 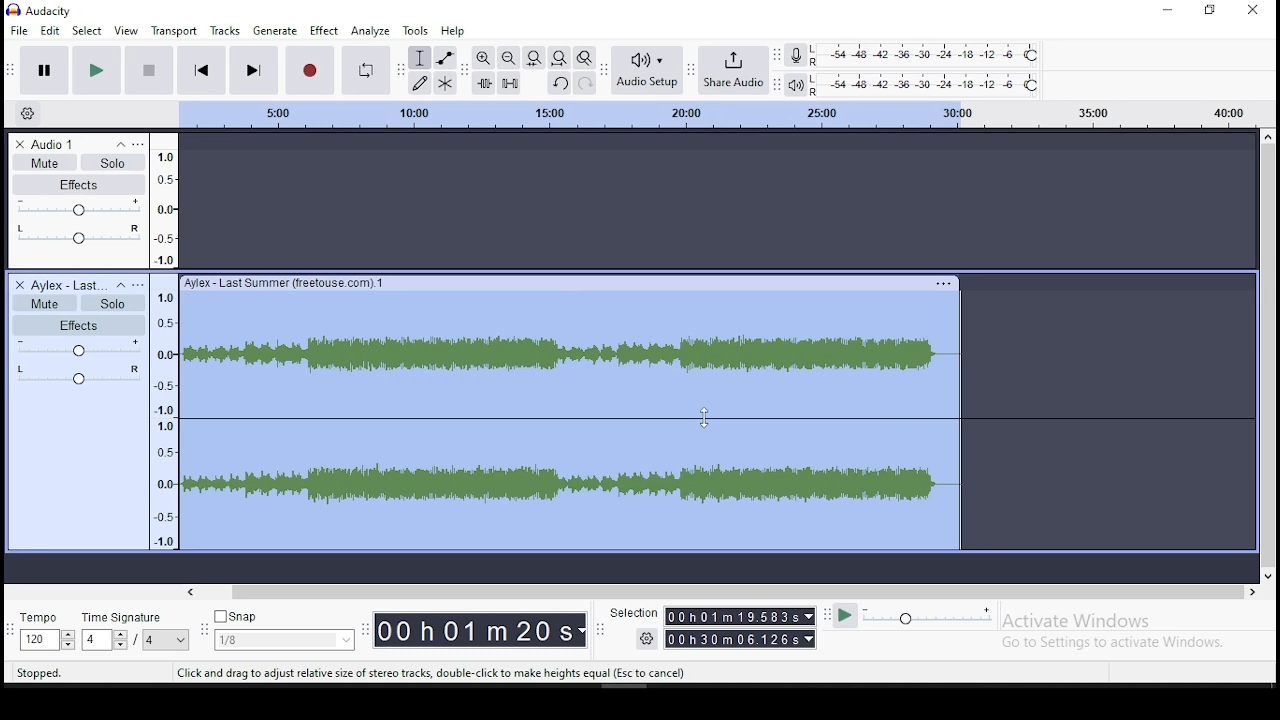 What do you see at coordinates (138, 284) in the screenshot?
I see `open menu` at bounding box center [138, 284].